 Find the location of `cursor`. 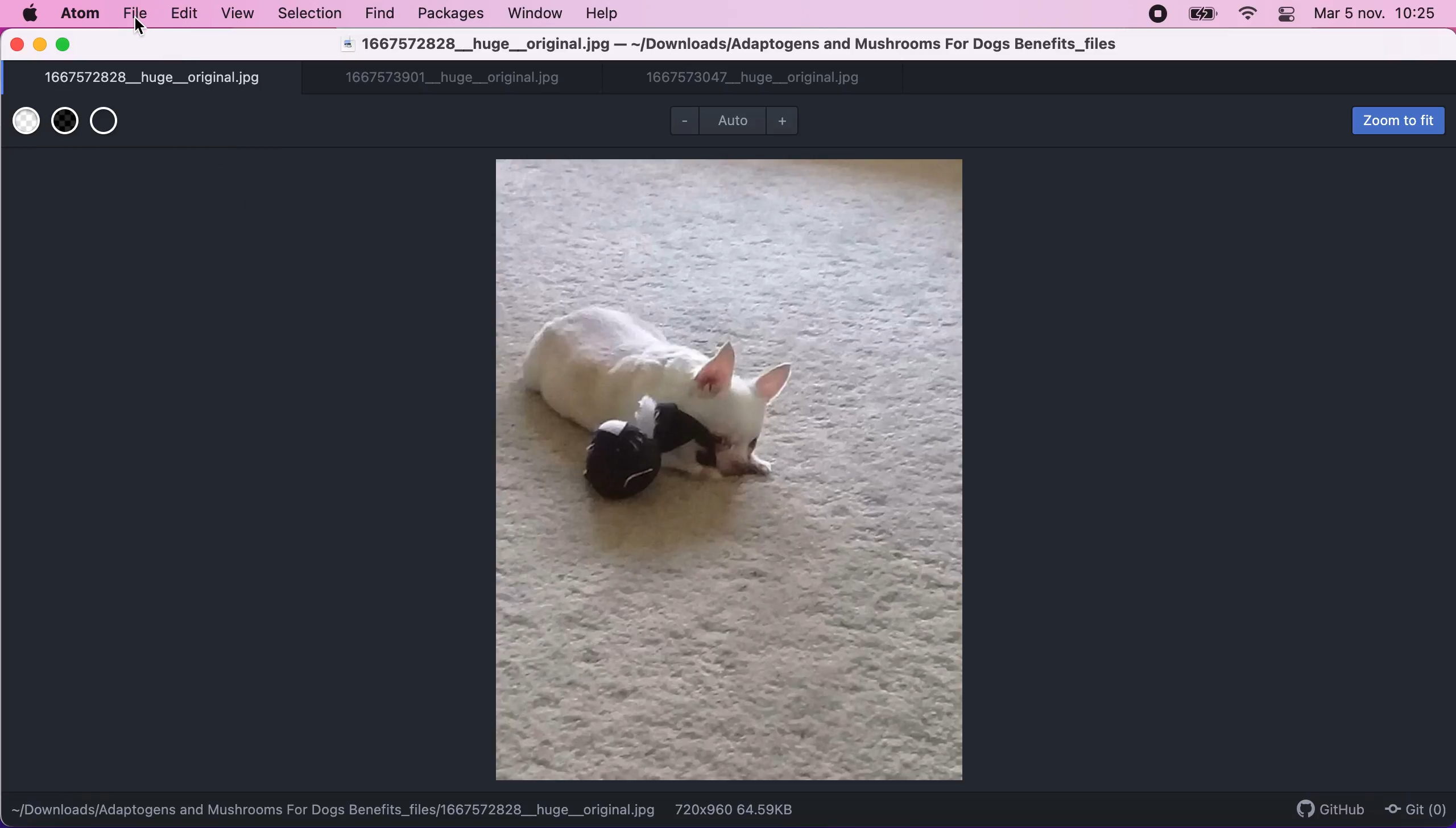

cursor is located at coordinates (139, 30).